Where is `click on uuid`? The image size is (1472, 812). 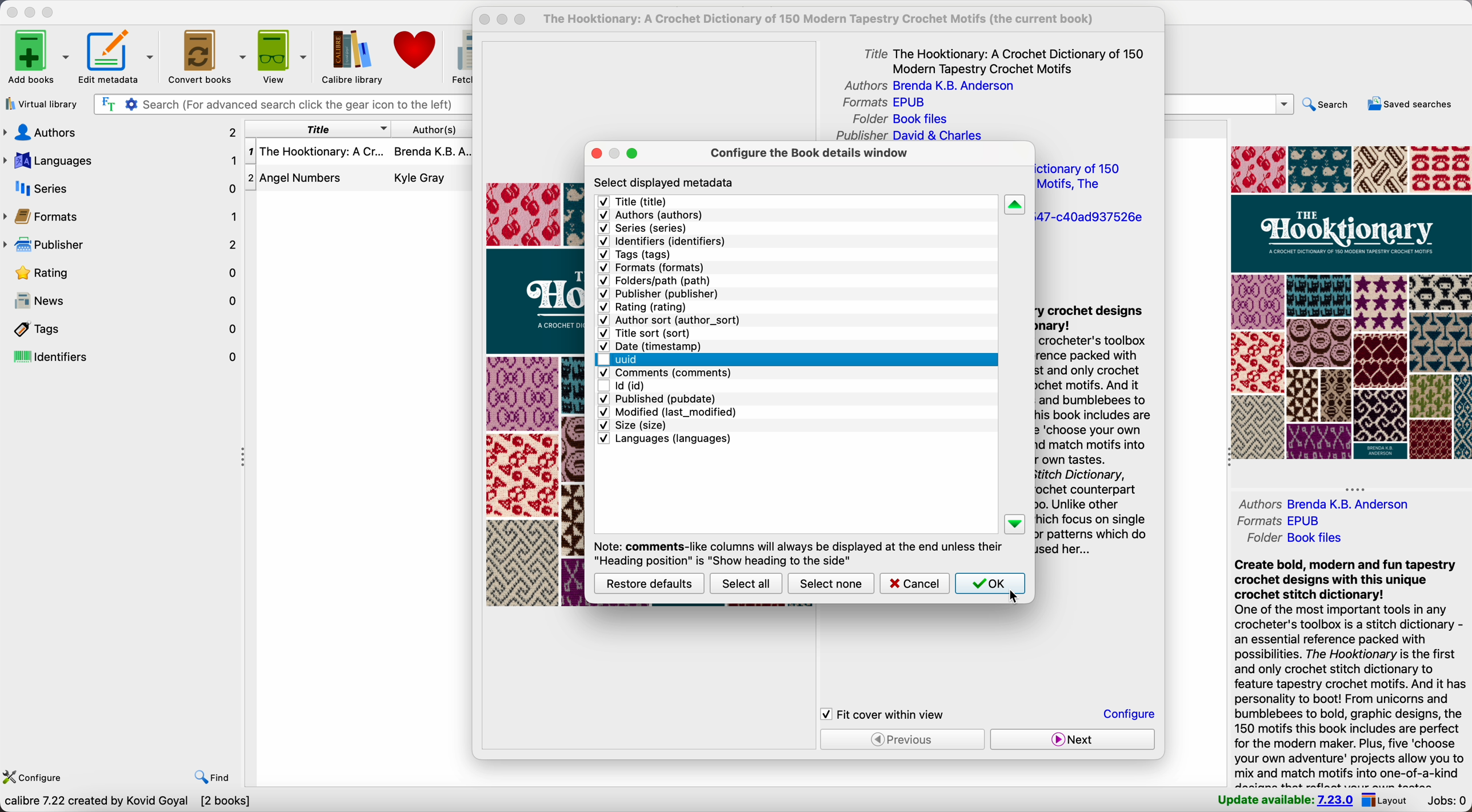
click on uuid is located at coordinates (619, 361).